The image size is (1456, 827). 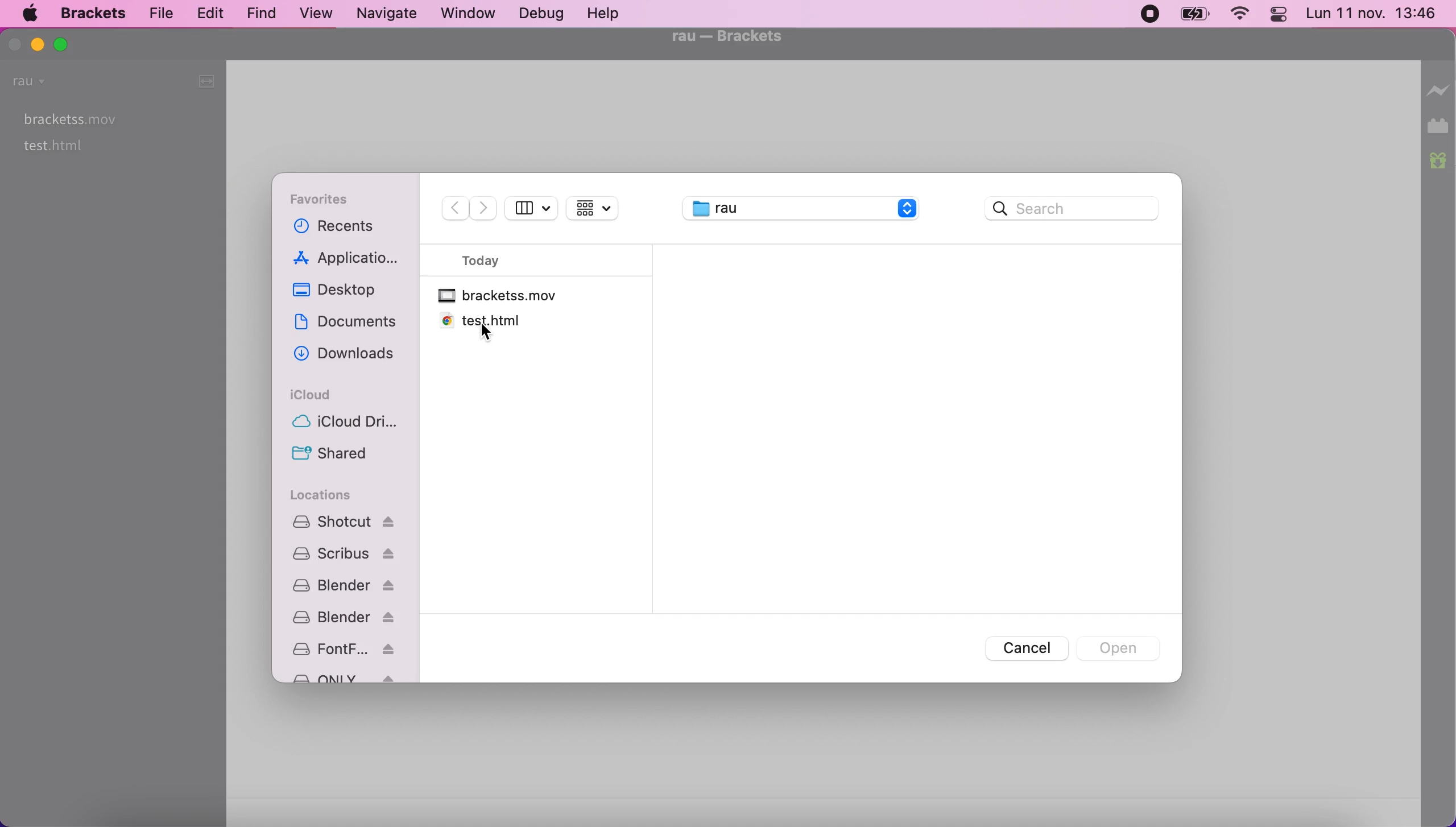 What do you see at coordinates (606, 208) in the screenshot?
I see `change the item grouping` at bounding box center [606, 208].